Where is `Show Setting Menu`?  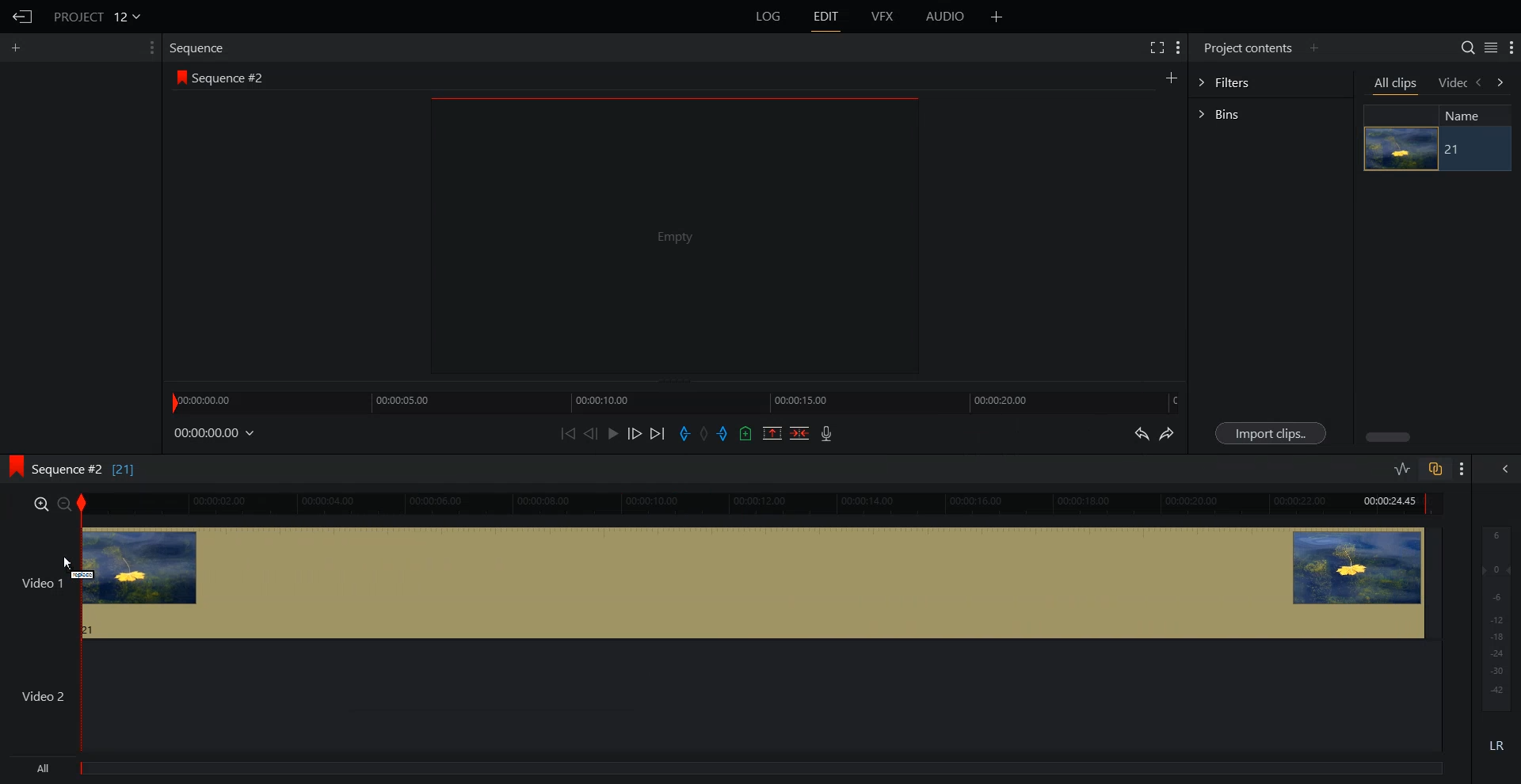 Show Setting Menu is located at coordinates (1511, 48).